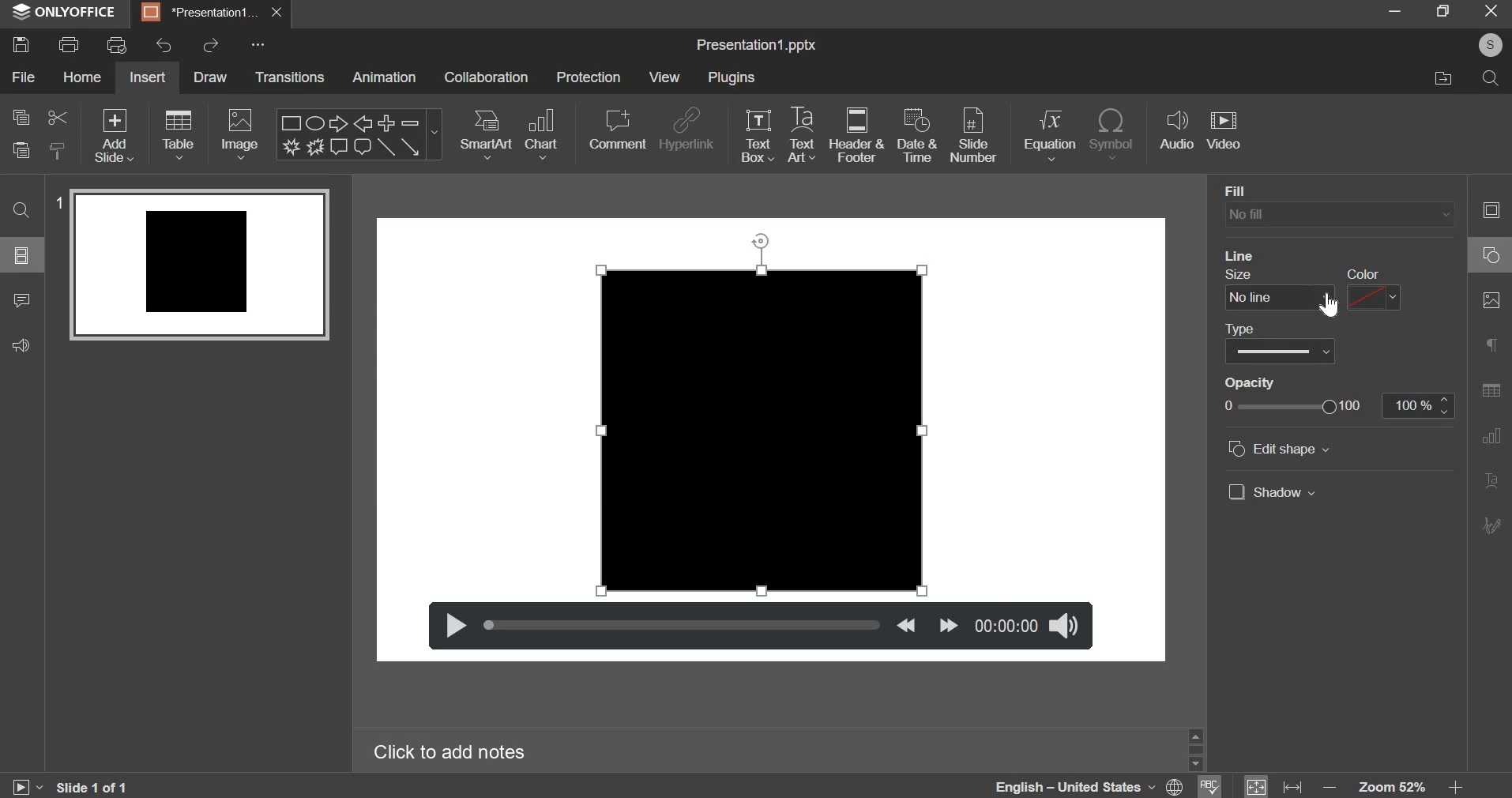 This screenshot has height=798, width=1512. I want to click on date & time, so click(915, 134).